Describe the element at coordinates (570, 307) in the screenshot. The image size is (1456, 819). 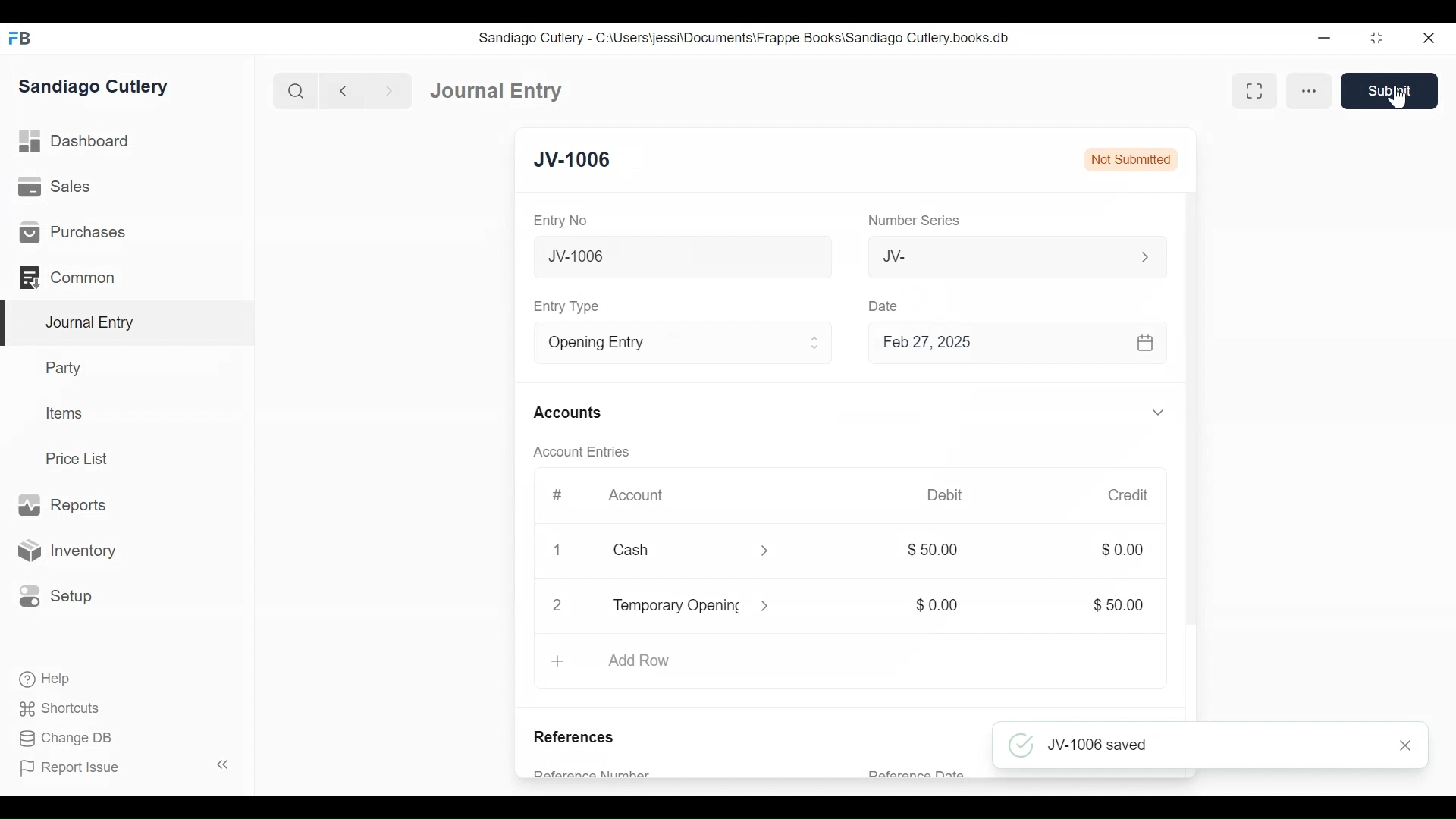
I see `Entry Type` at that location.